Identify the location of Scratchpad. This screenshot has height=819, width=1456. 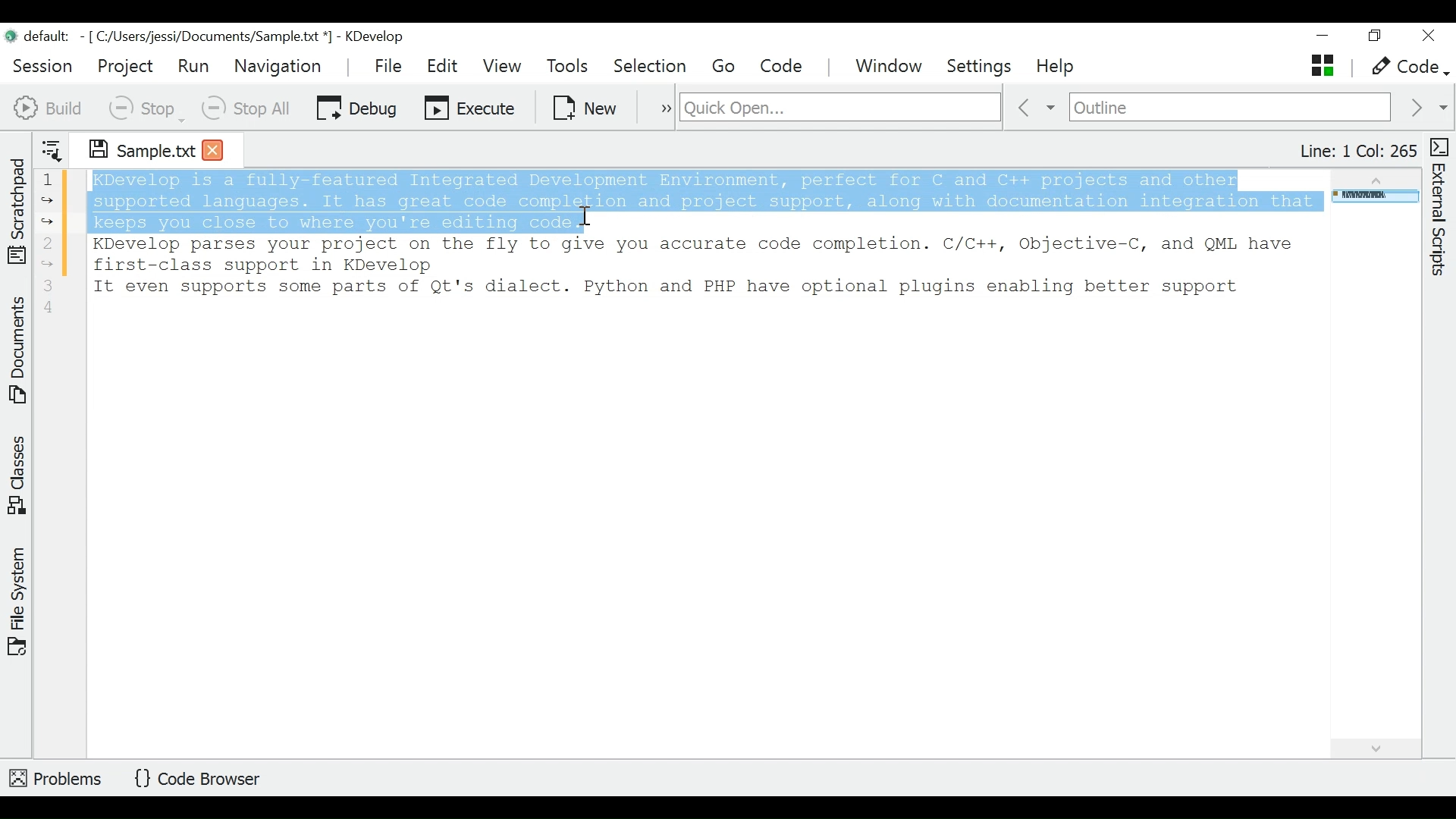
(17, 208).